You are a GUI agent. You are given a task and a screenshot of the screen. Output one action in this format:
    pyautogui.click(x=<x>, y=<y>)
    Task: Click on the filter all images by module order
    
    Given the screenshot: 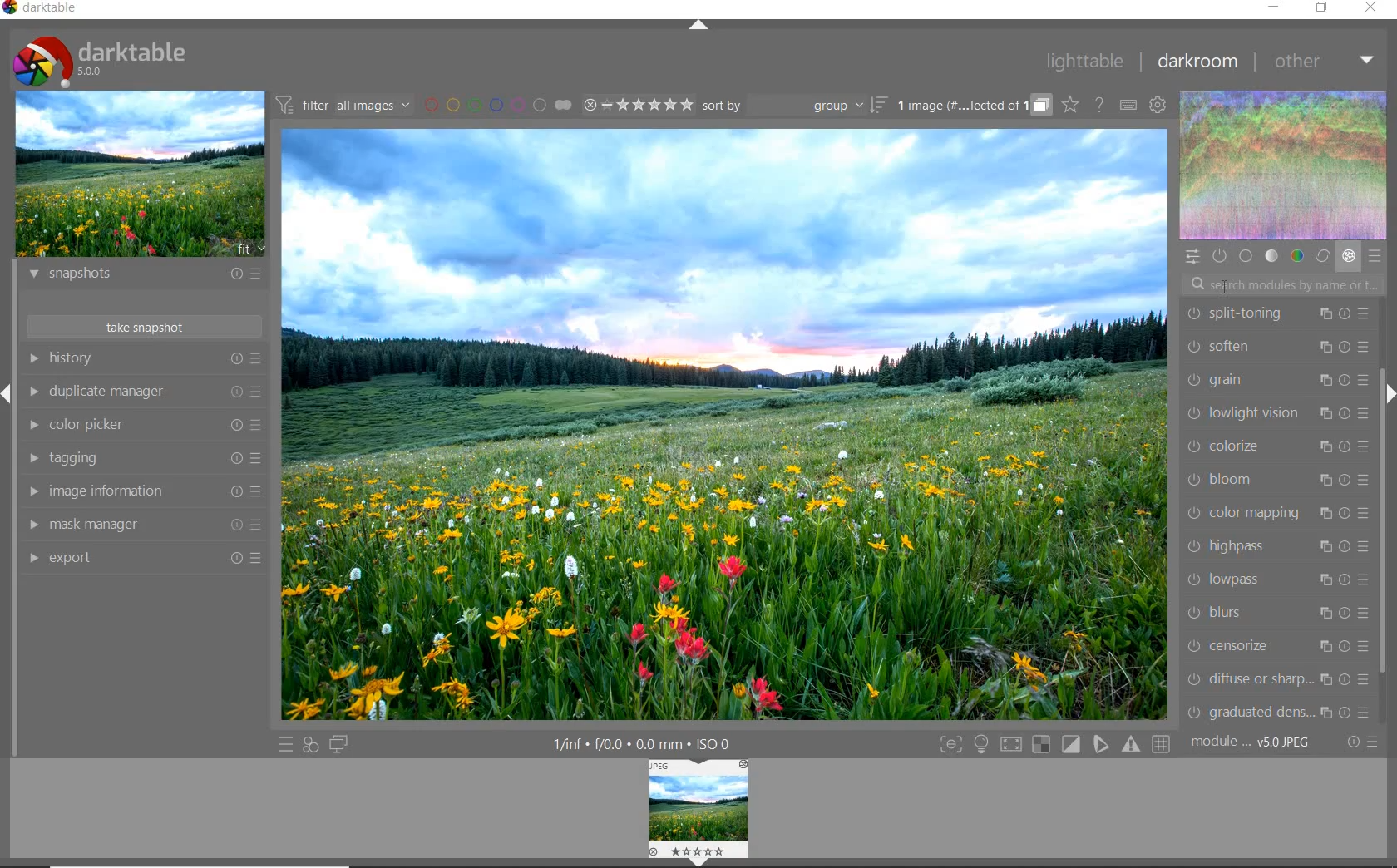 What is the action you would take?
    pyautogui.click(x=342, y=106)
    